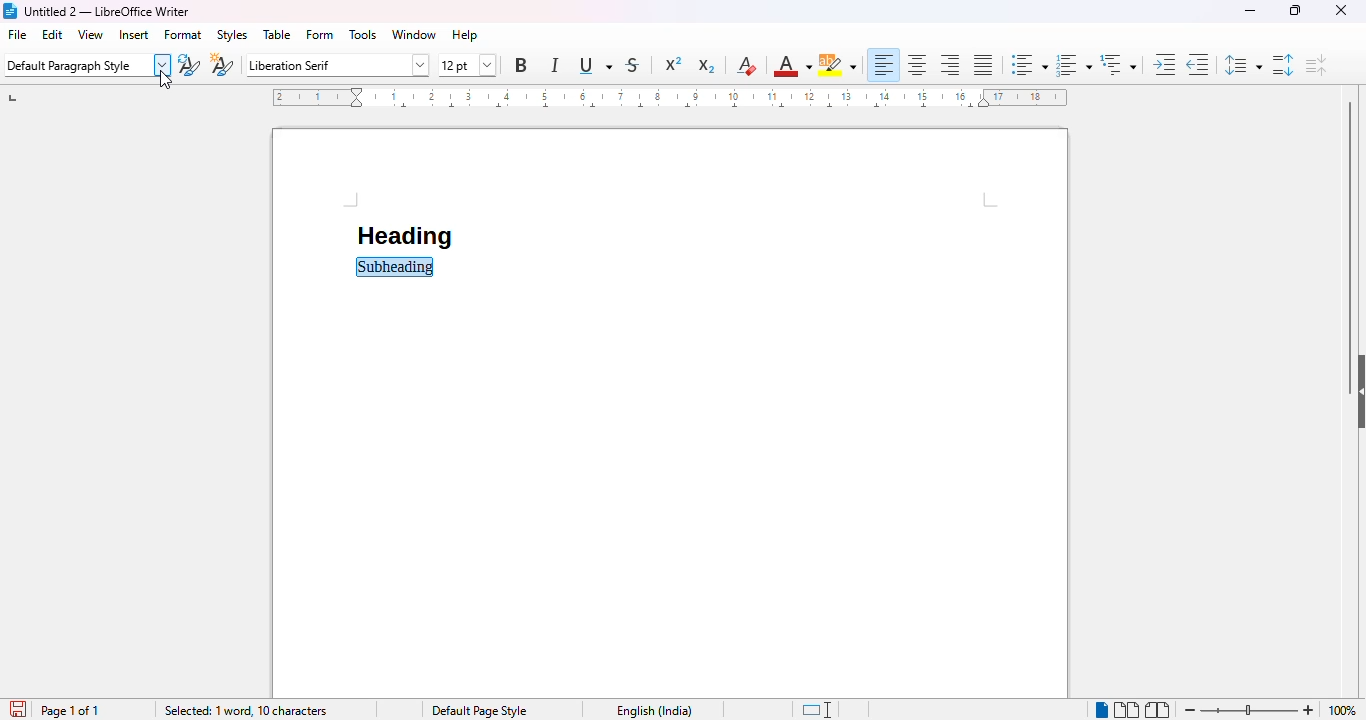 The width and height of the screenshot is (1366, 720). Describe the element at coordinates (70, 710) in the screenshot. I see `page 1 of 1` at that location.